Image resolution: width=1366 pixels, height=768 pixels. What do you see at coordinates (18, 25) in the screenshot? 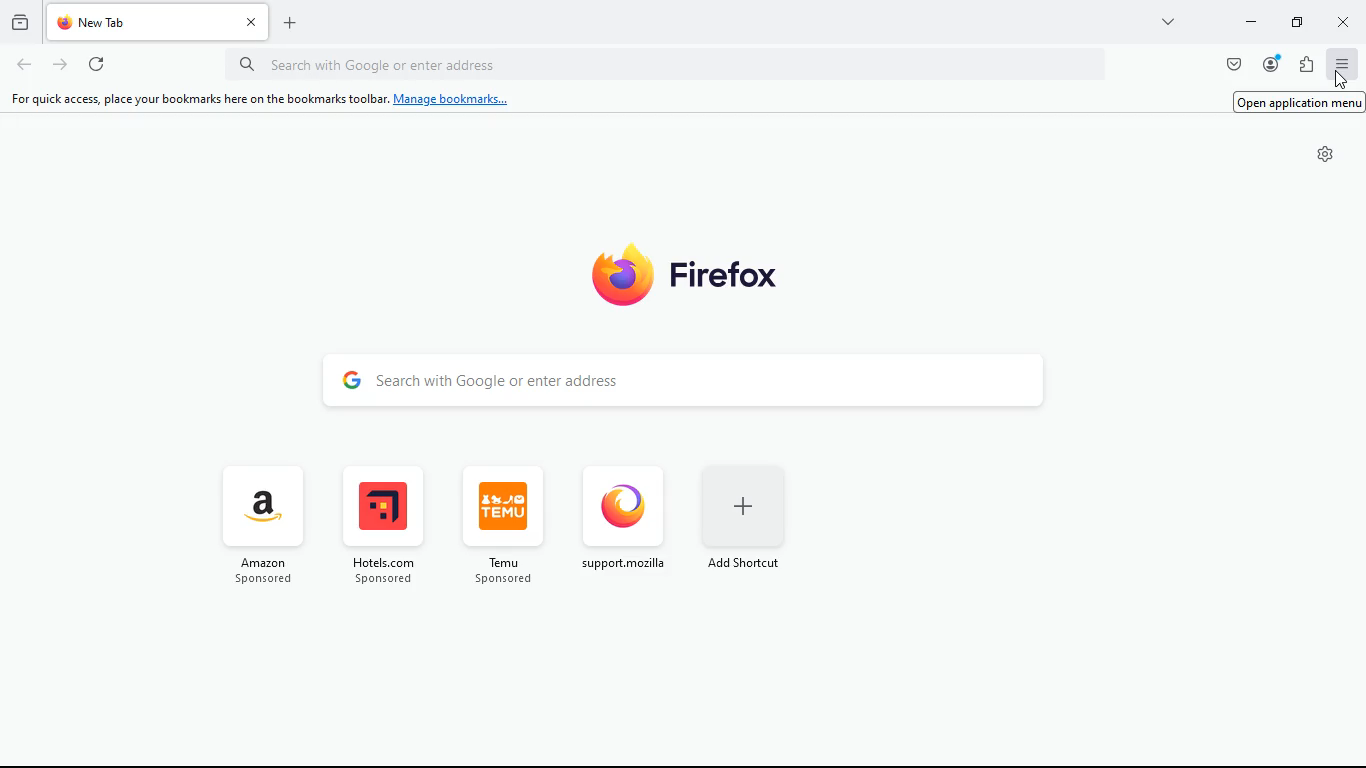
I see `archive` at bounding box center [18, 25].